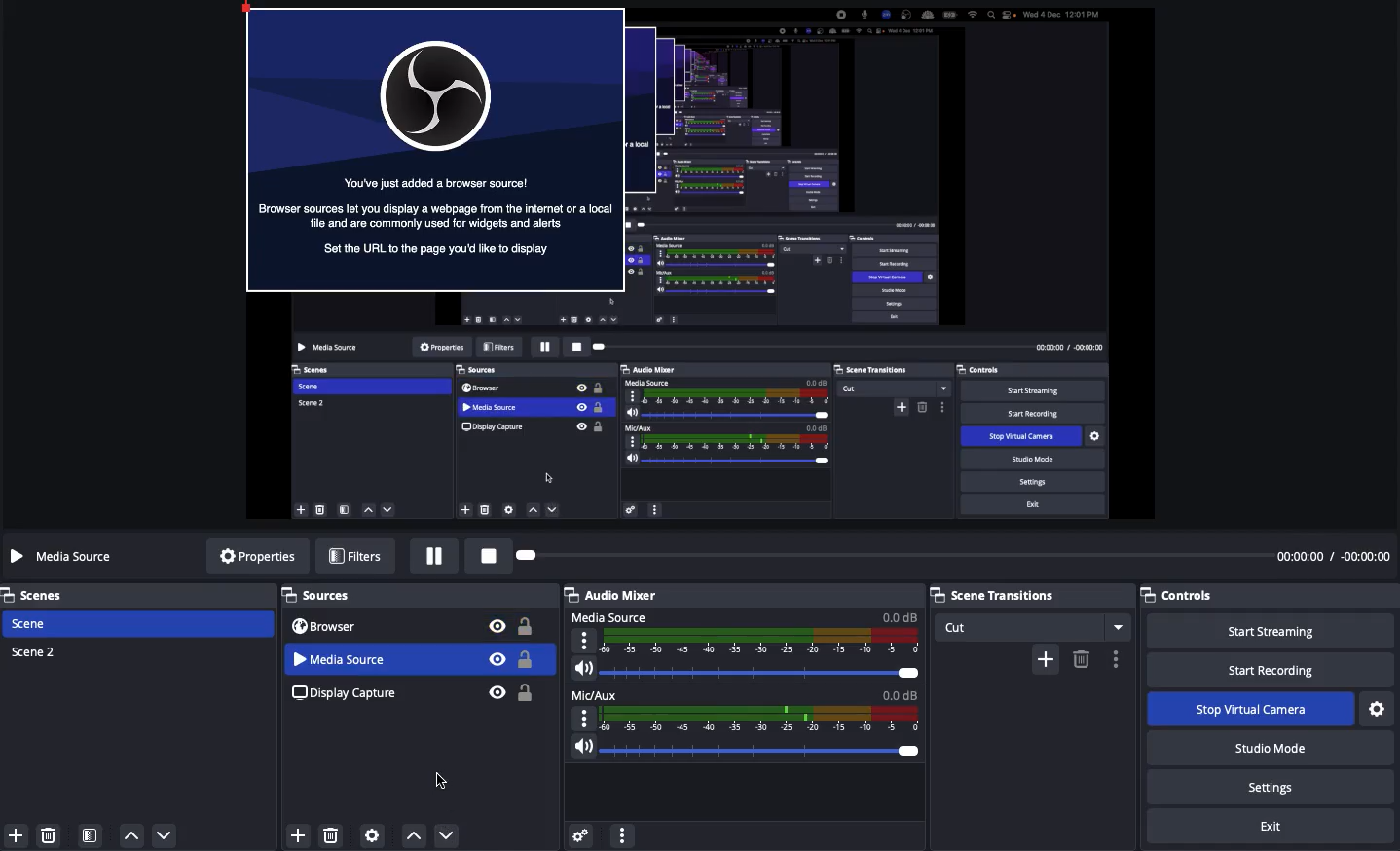 The image size is (1400, 851). What do you see at coordinates (331, 627) in the screenshot?
I see `Browser` at bounding box center [331, 627].